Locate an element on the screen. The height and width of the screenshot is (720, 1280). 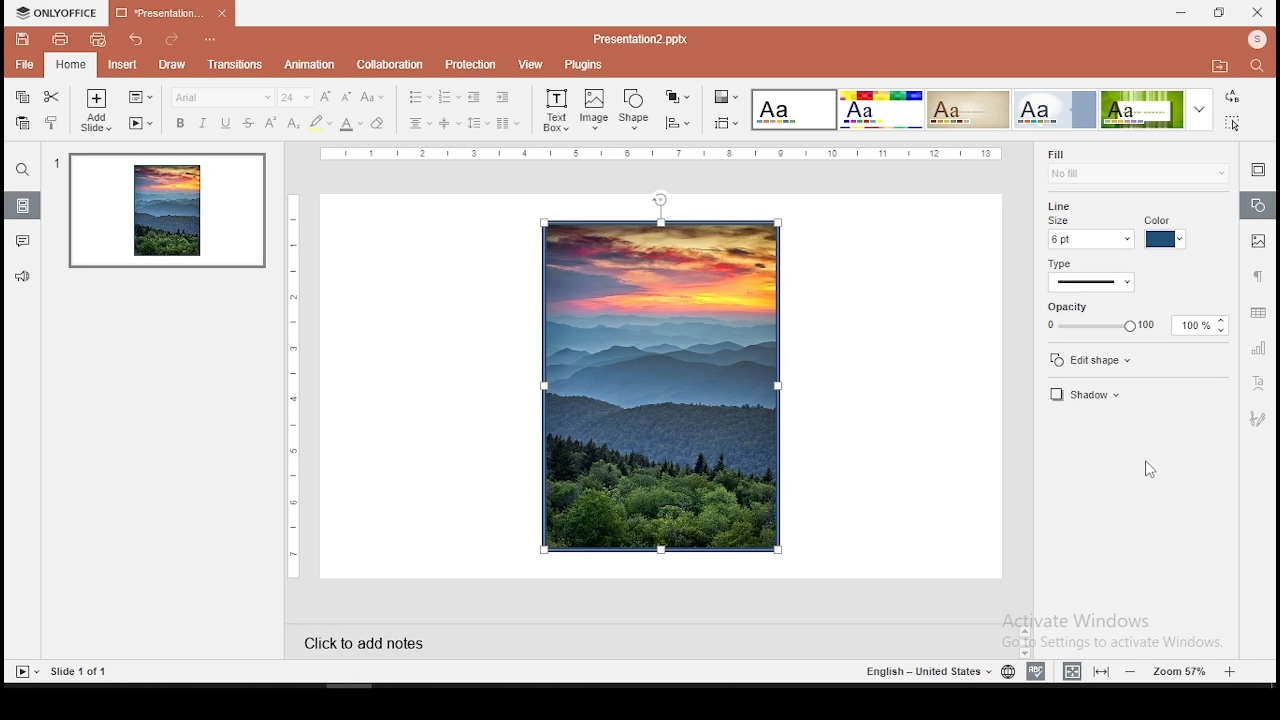
paragraph settings is located at coordinates (1256, 276).